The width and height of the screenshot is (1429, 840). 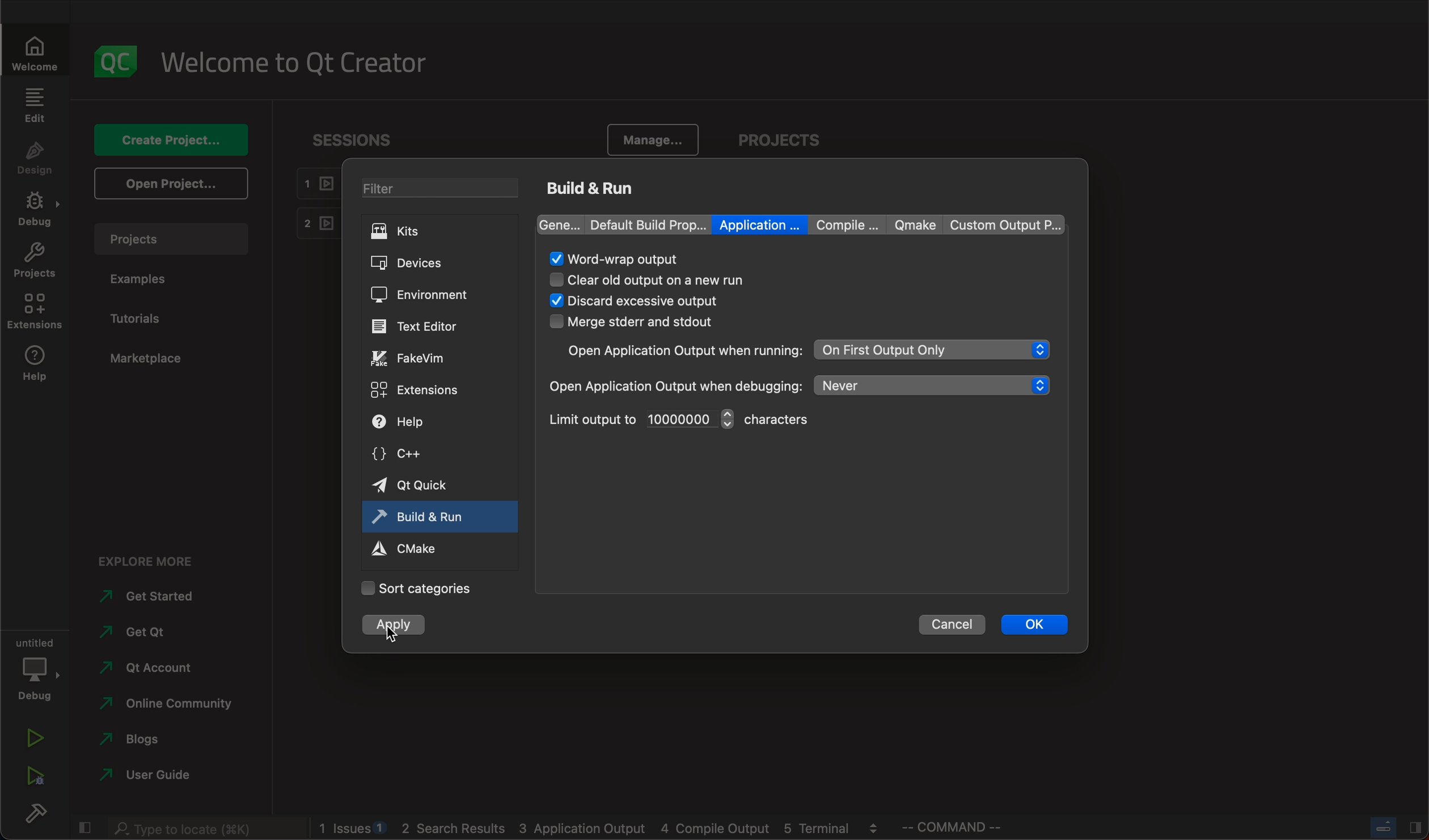 I want to click on started, so click(x=154, y=597).